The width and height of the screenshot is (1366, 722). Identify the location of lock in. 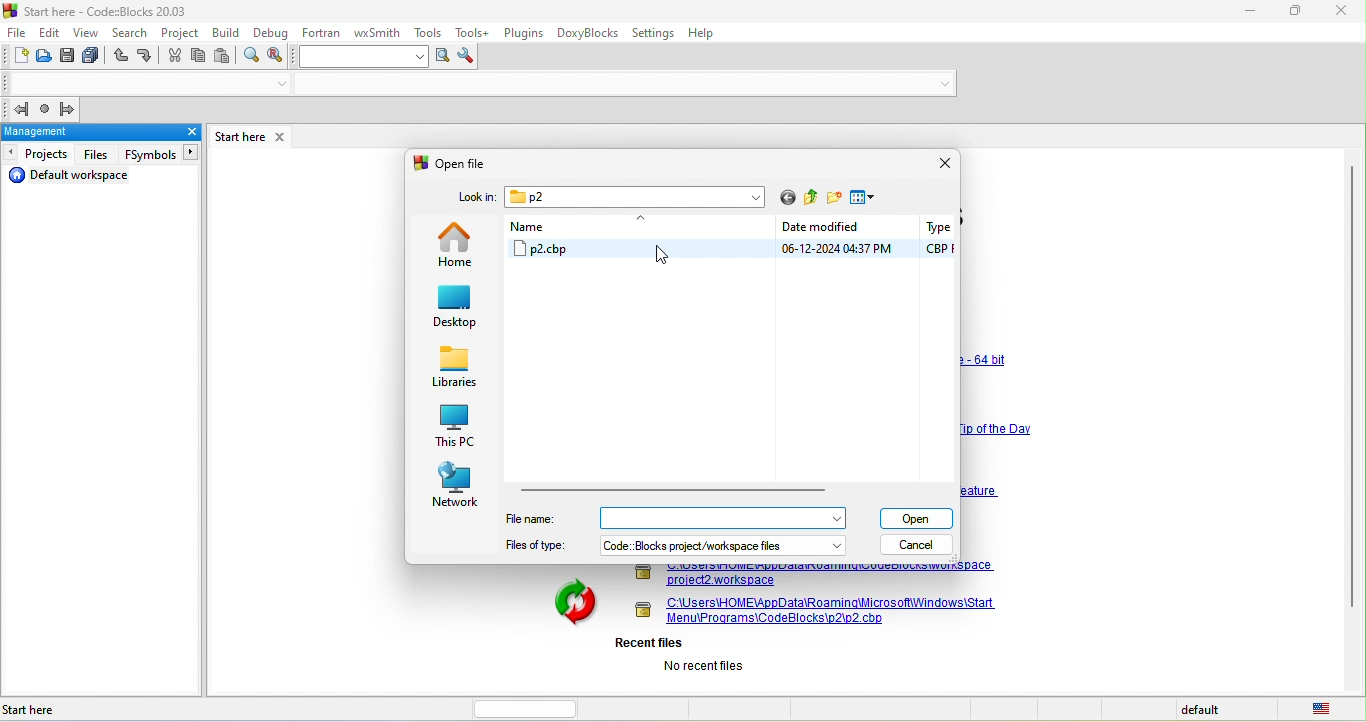
(480, 196).